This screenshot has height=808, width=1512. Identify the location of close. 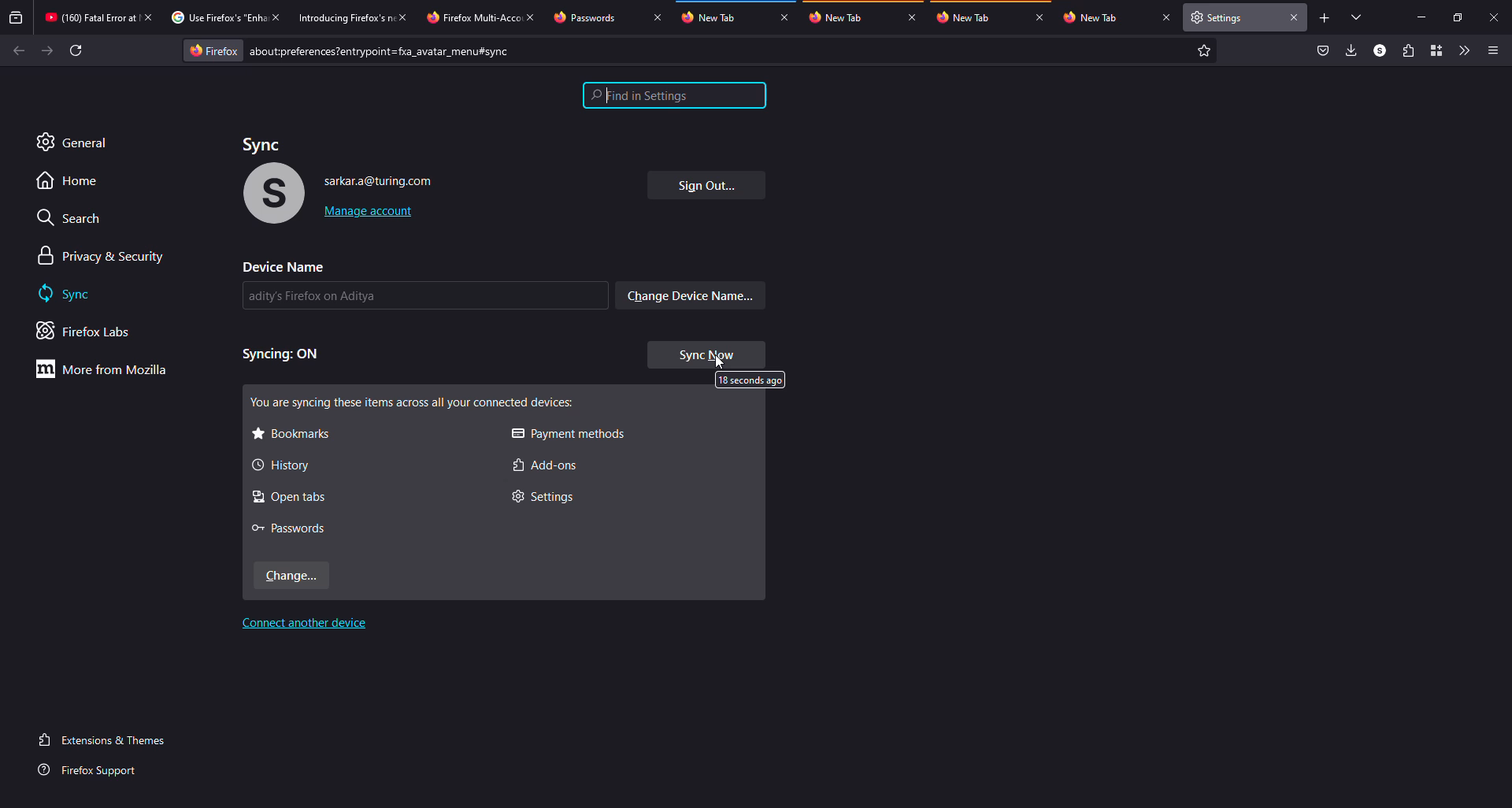
(1299, 17).